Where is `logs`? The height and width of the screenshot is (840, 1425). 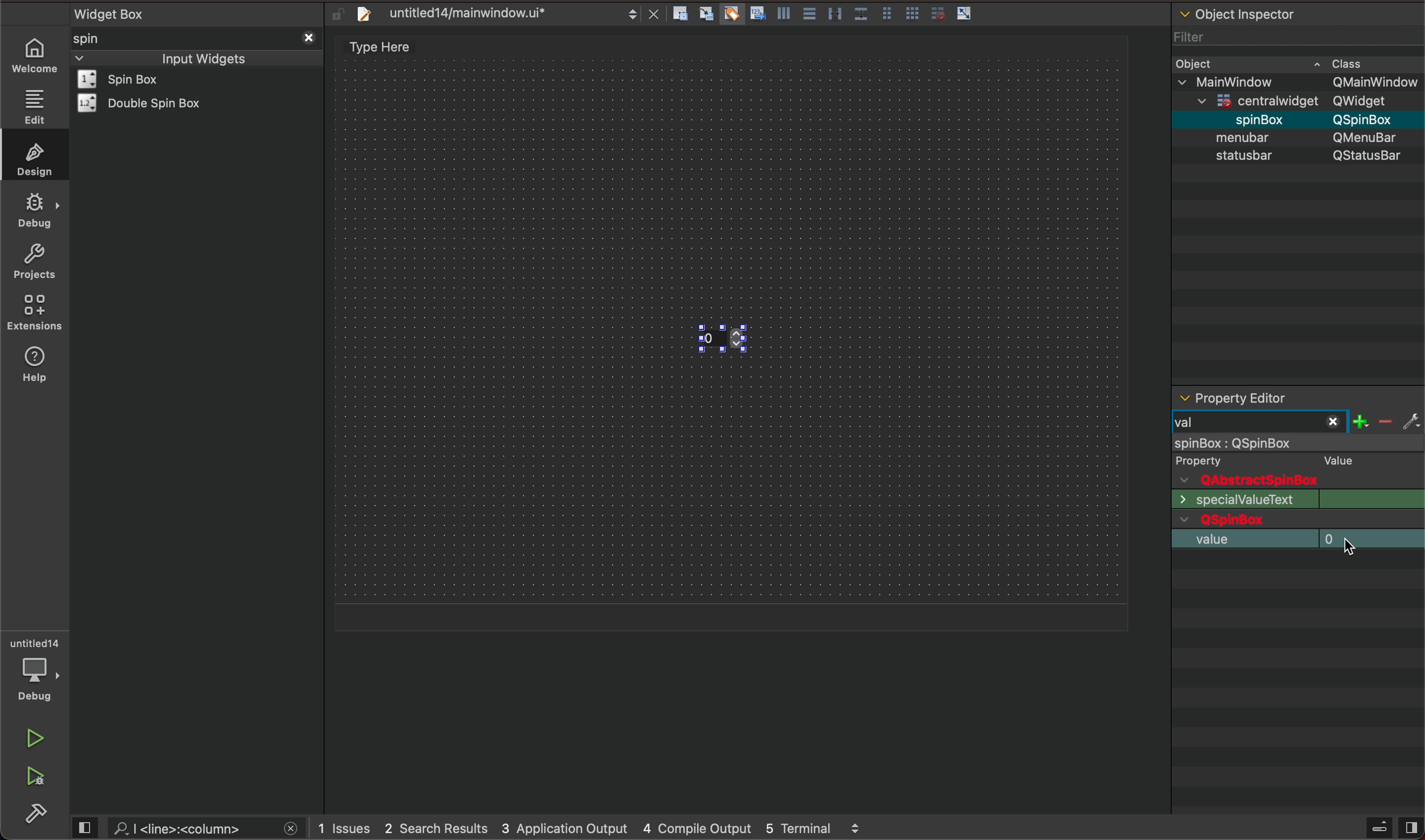 logs is located at coordinates (601, 829).